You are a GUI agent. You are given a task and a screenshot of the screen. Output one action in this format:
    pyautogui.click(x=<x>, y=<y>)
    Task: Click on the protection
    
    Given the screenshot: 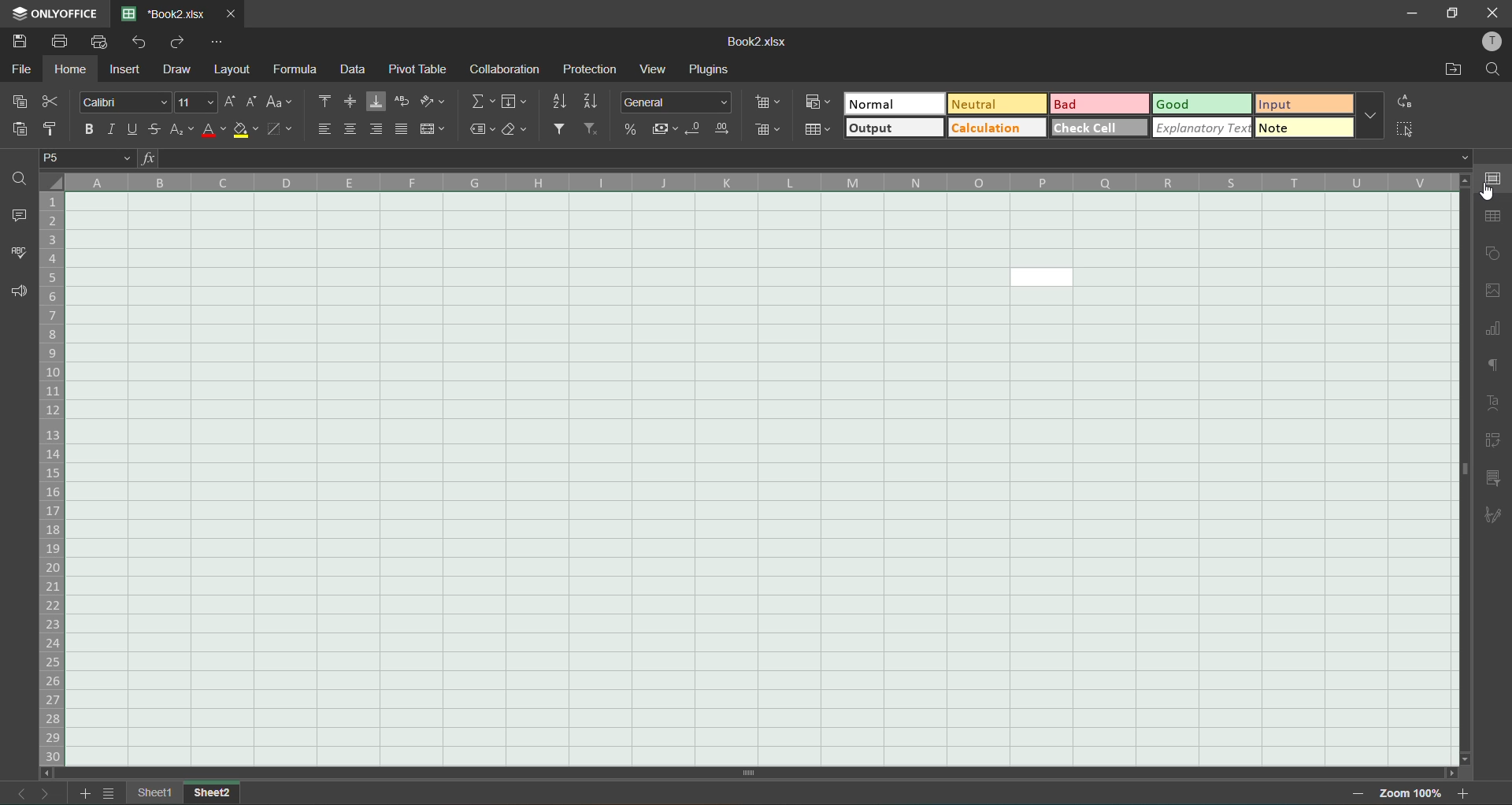 What is the action you would take?
    pyautogui.click(x=591, y=72)
    